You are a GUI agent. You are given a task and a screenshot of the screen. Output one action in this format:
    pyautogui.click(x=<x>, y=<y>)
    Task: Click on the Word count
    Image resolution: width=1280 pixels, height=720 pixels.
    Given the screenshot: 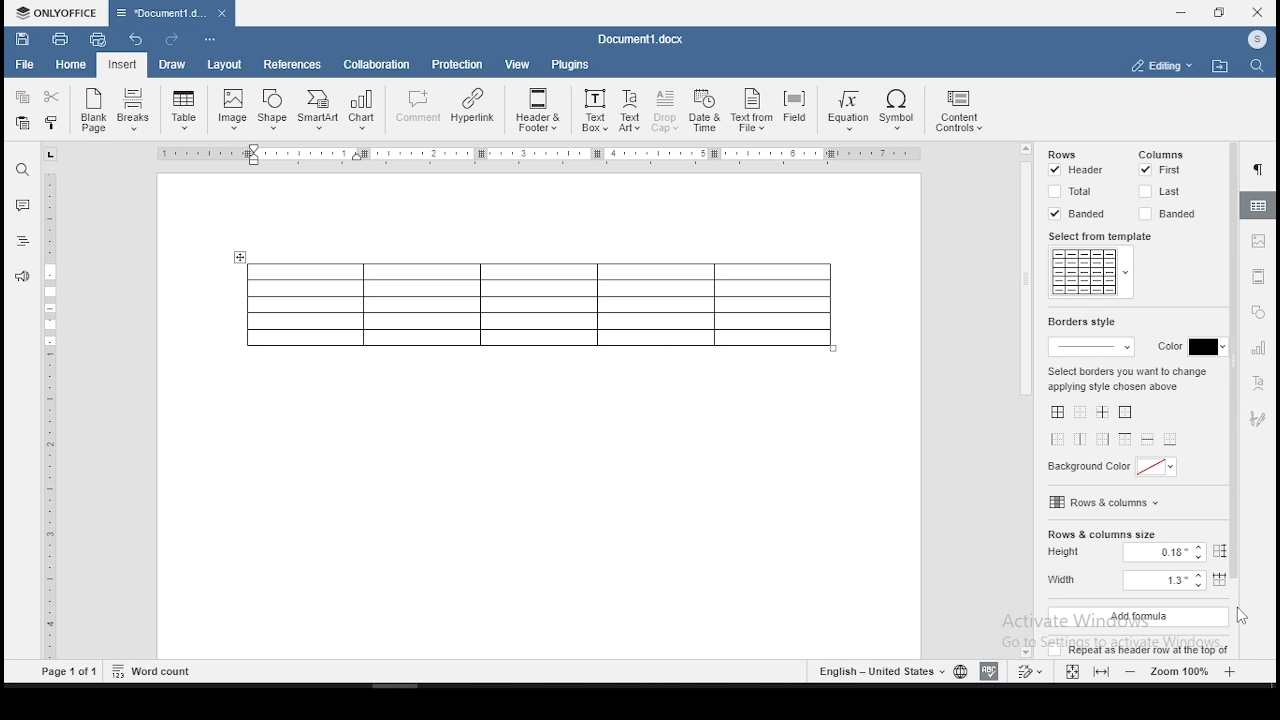 What is the action you would take?
    pyautogui.click(x=152, y=671)
    